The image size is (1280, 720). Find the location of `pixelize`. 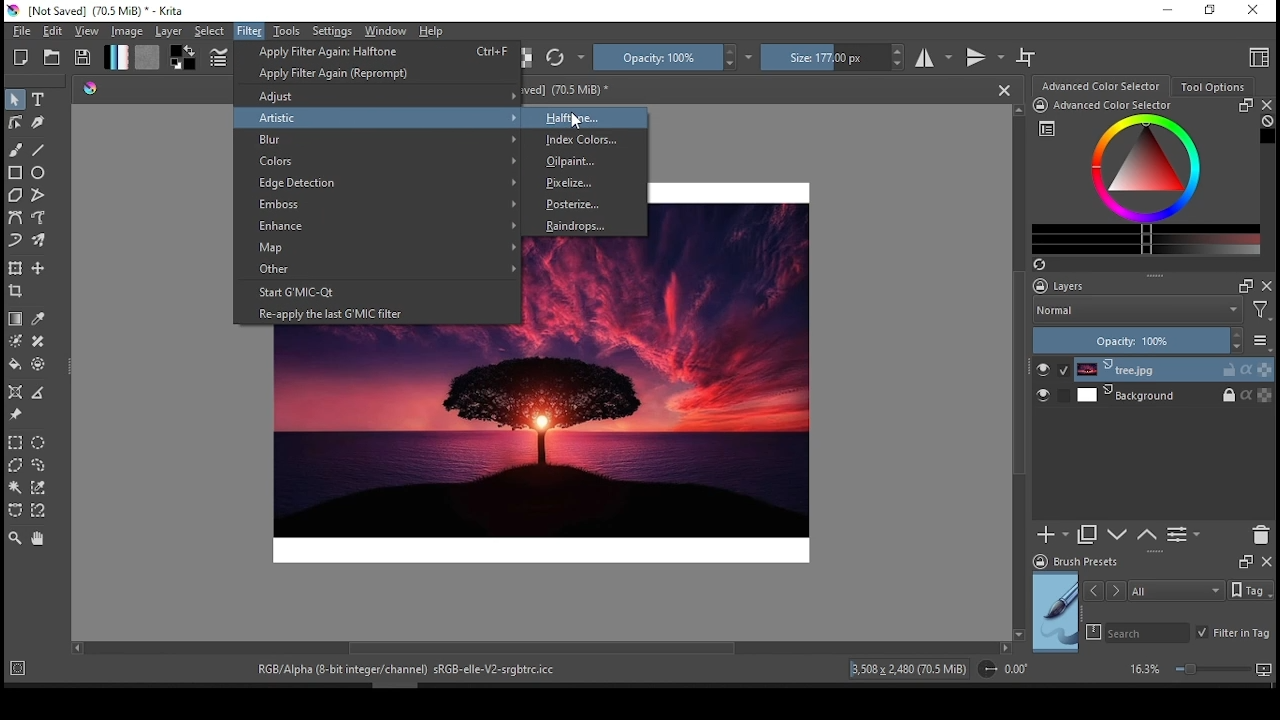

pixelize is located at coordinates (585, 182).